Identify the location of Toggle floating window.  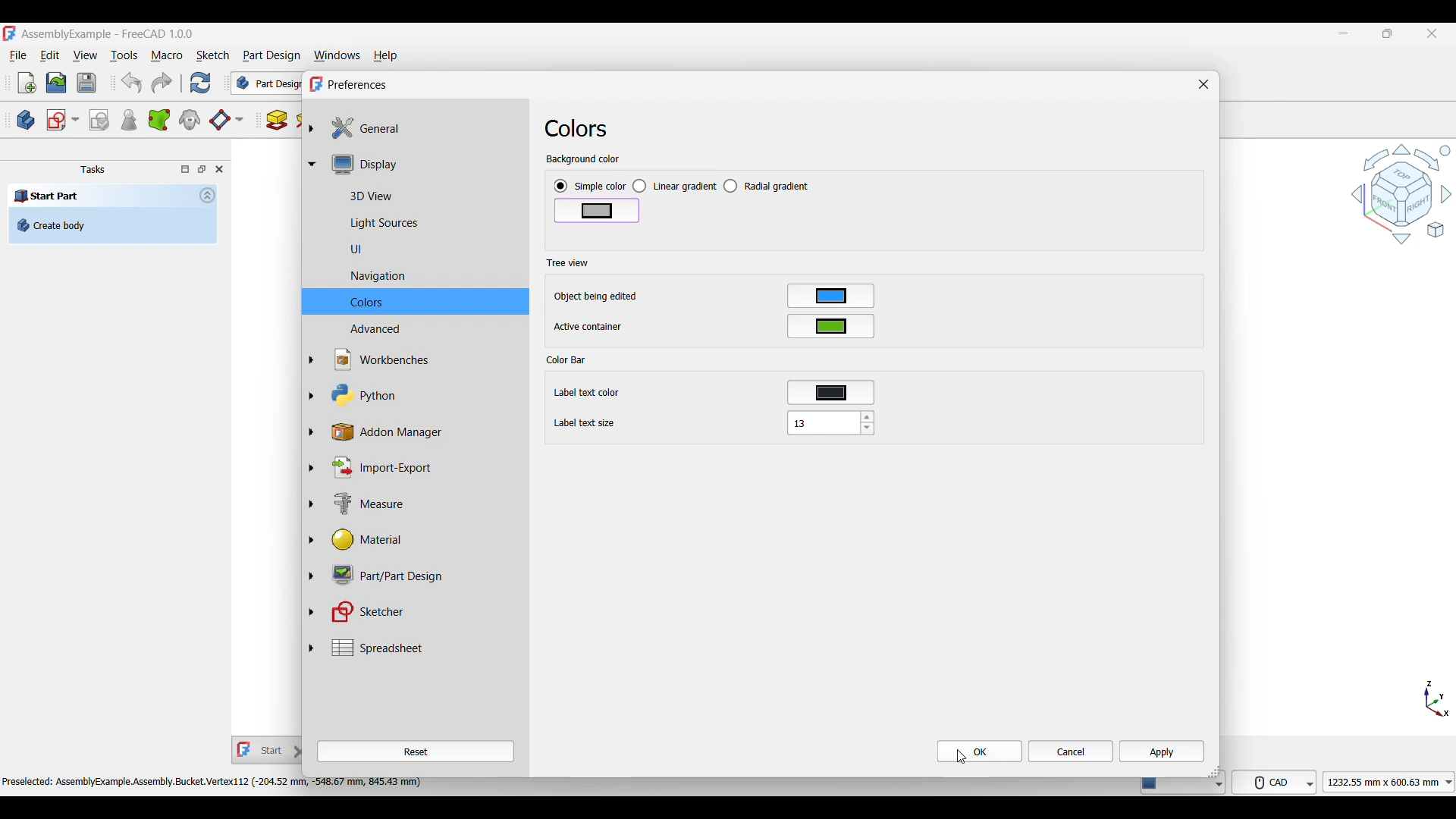
(202, 168).